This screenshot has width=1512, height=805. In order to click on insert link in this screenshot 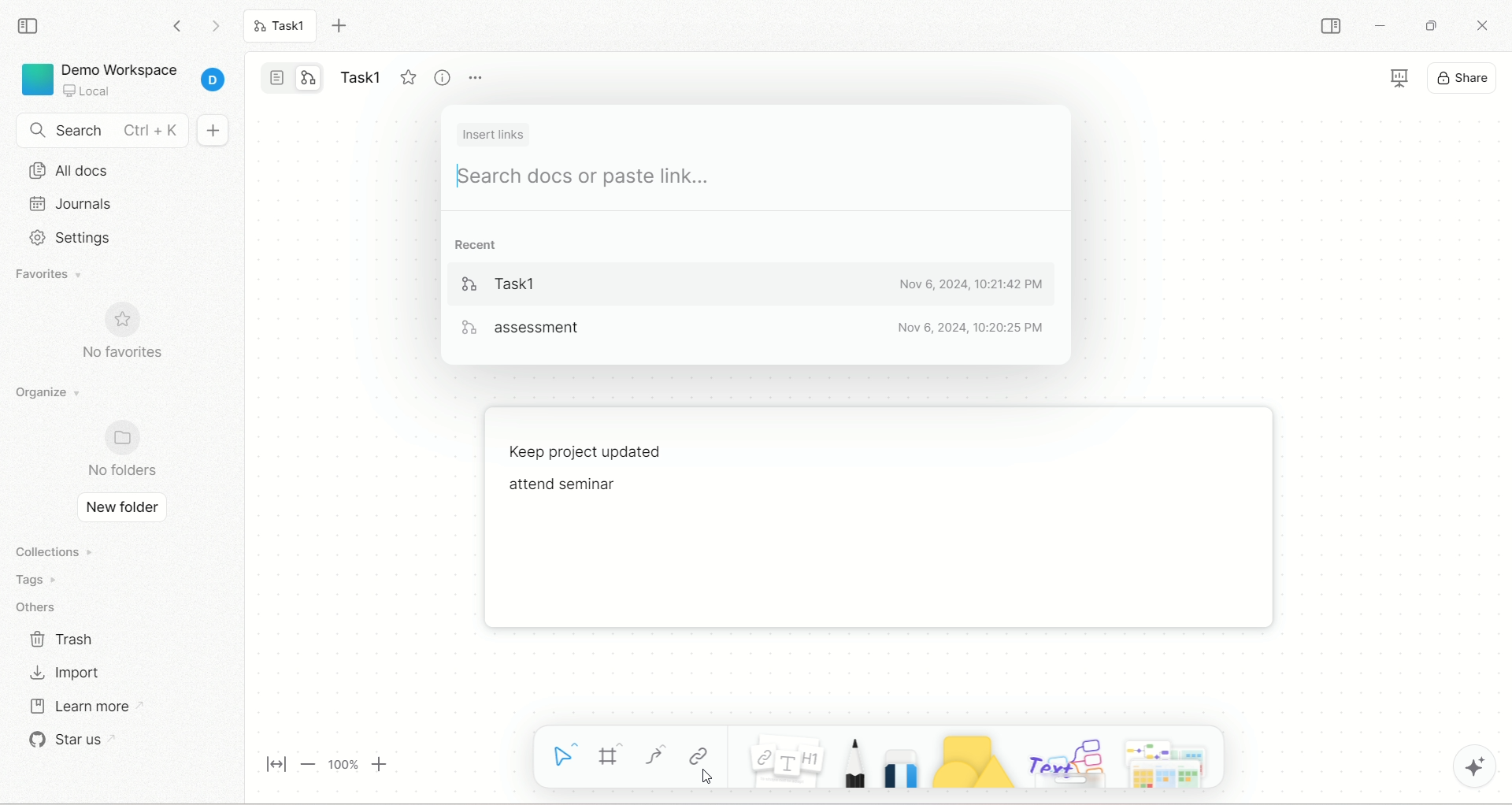, I will do `click(498, 133)`.